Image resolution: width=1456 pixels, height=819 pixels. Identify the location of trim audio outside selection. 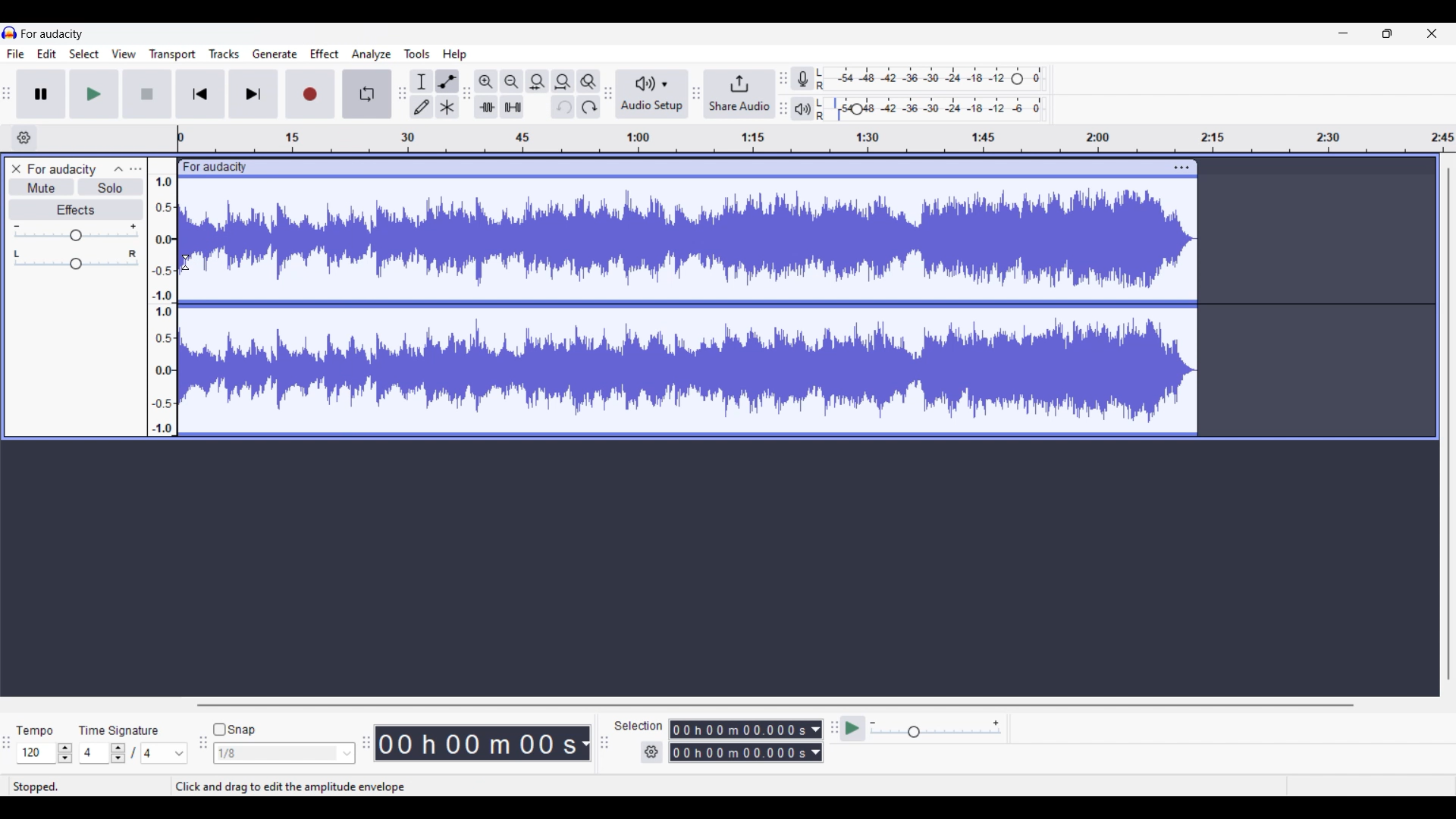
(486, 107).